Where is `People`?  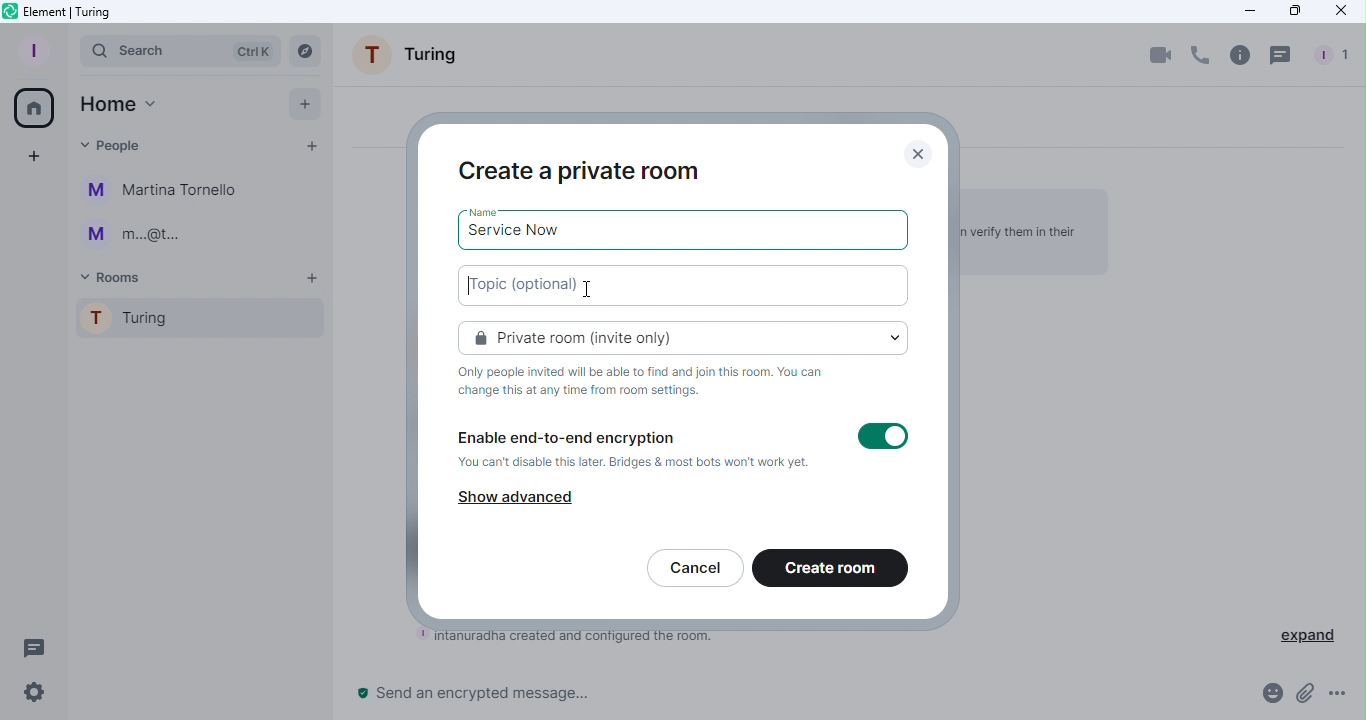
People is located at coordinates (1332, 57).